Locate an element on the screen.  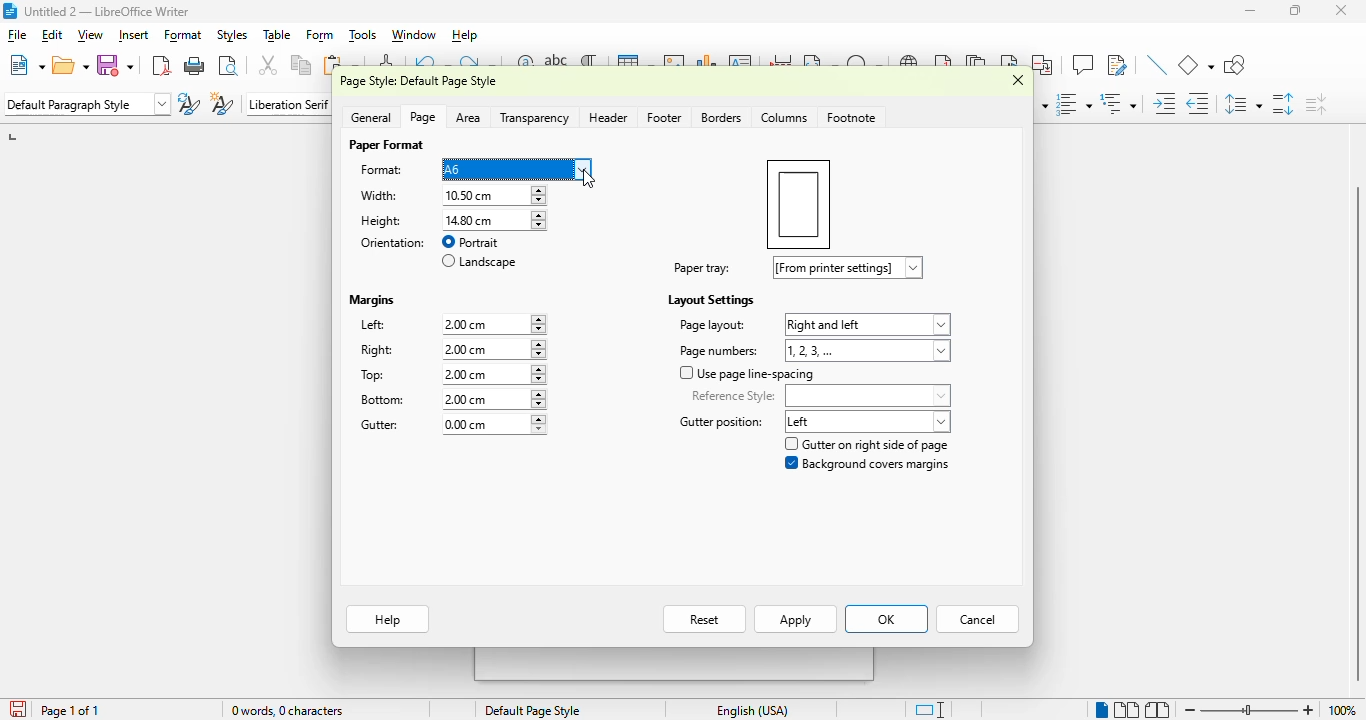
new is located at coordinates (26, 65).